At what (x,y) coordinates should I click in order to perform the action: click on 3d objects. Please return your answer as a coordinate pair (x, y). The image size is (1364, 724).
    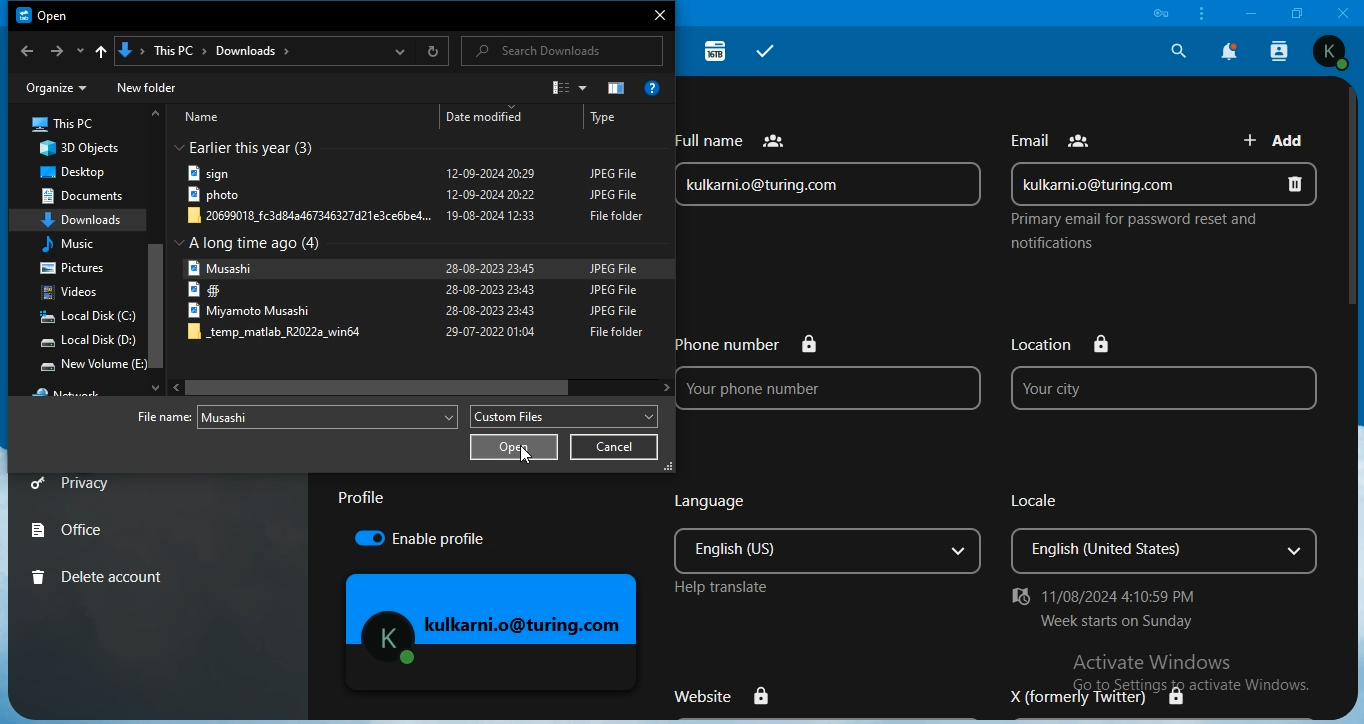
    Looking at the image, I should click on (78, 150).